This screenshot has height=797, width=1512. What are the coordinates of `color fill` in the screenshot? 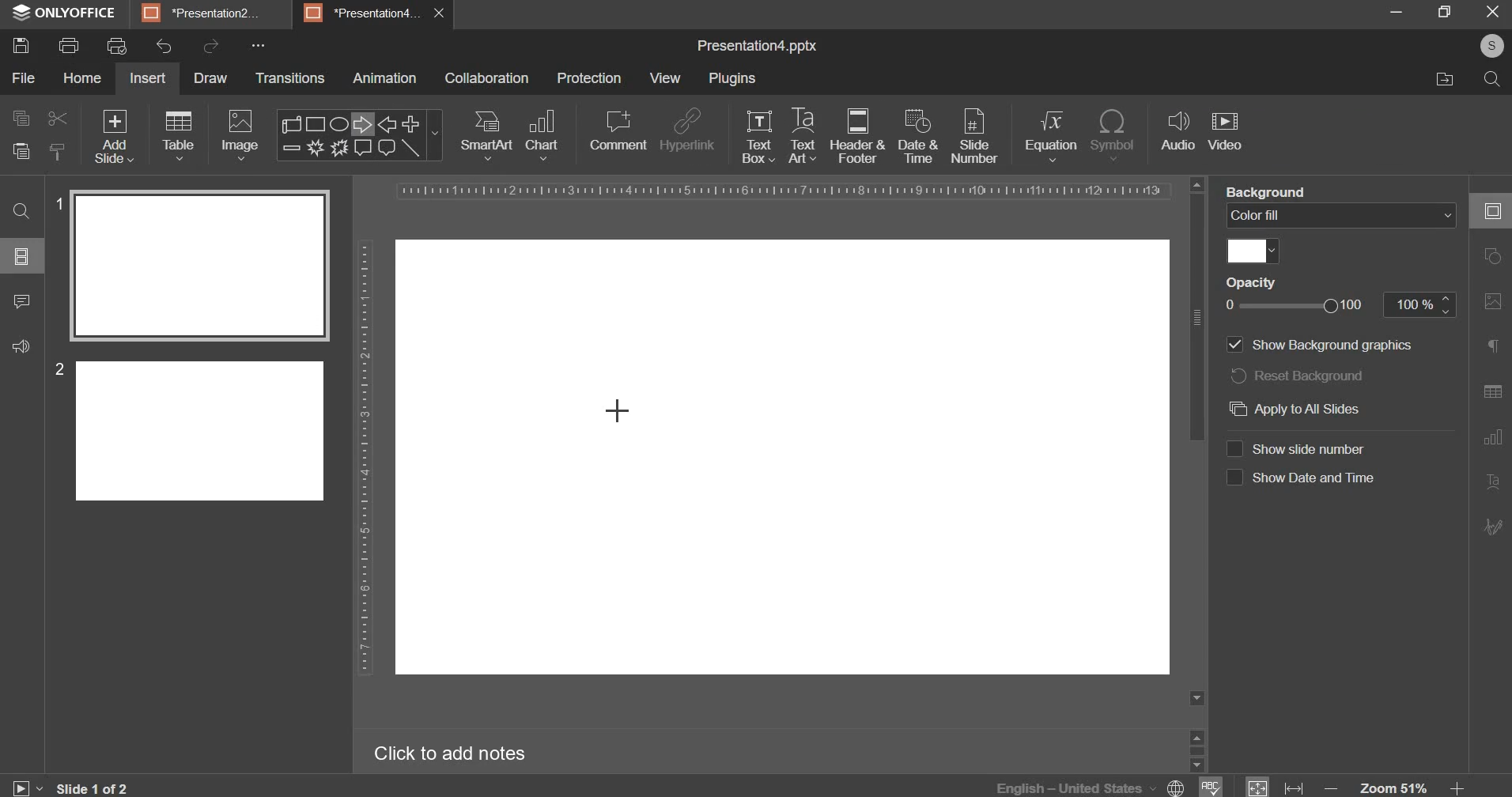 It's located at (1249, 253).